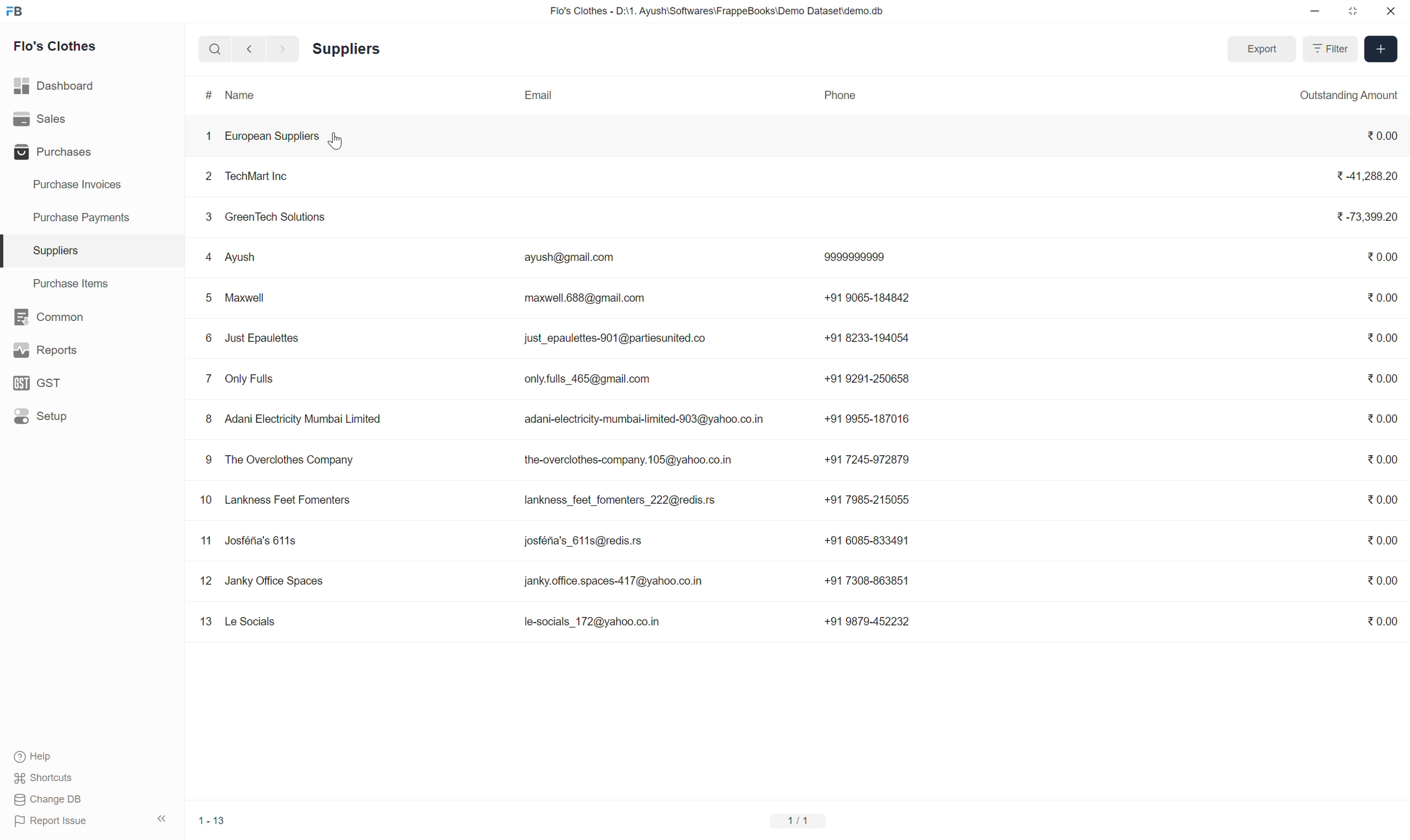  What do you see at coordinates (87, 214) in the screenshot?
I see `Purchase Payments` at bounding box center [87, 214].